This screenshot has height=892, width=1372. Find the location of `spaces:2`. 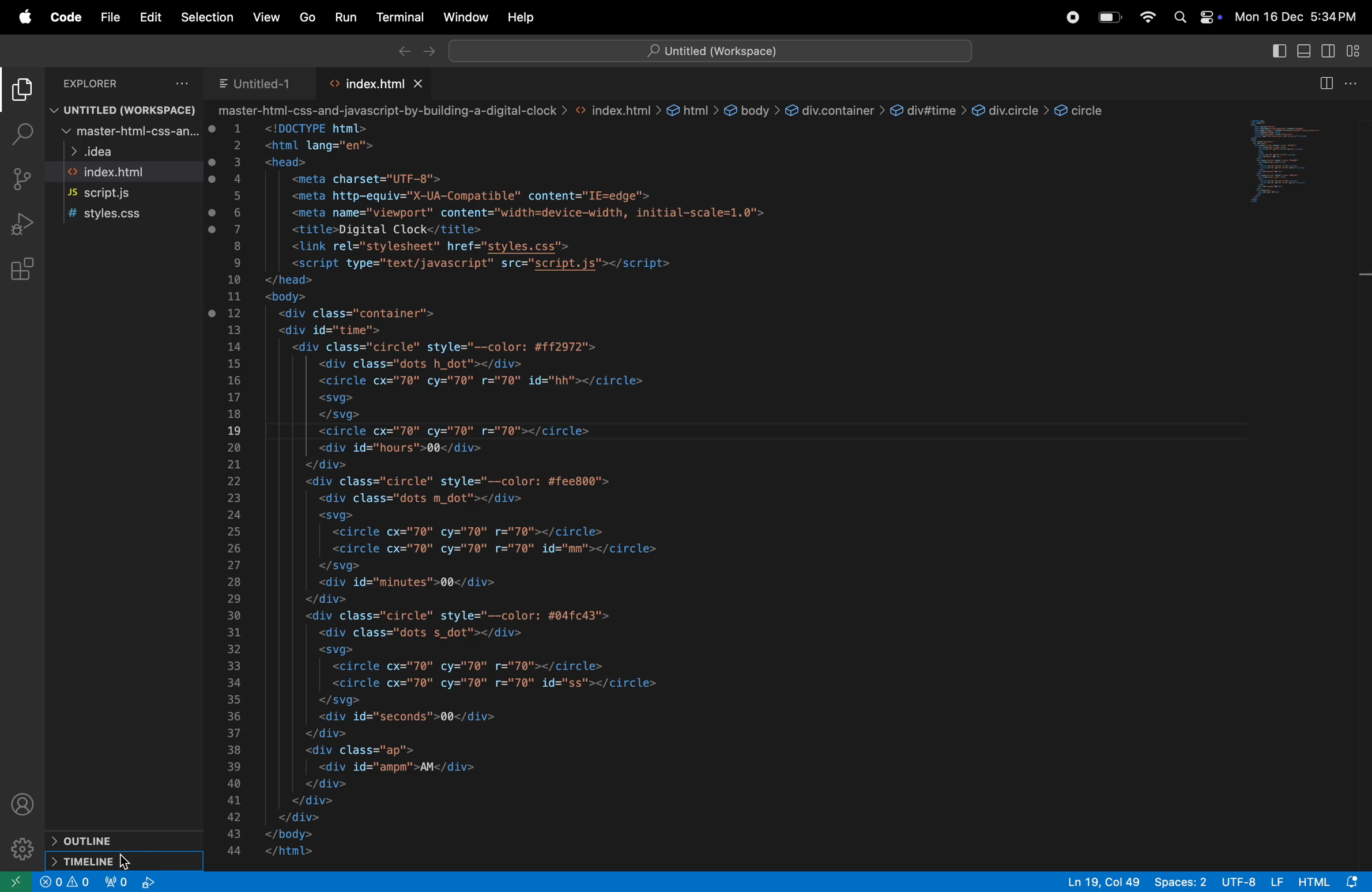

spaces:2 is located at coordinates (1181, 882).